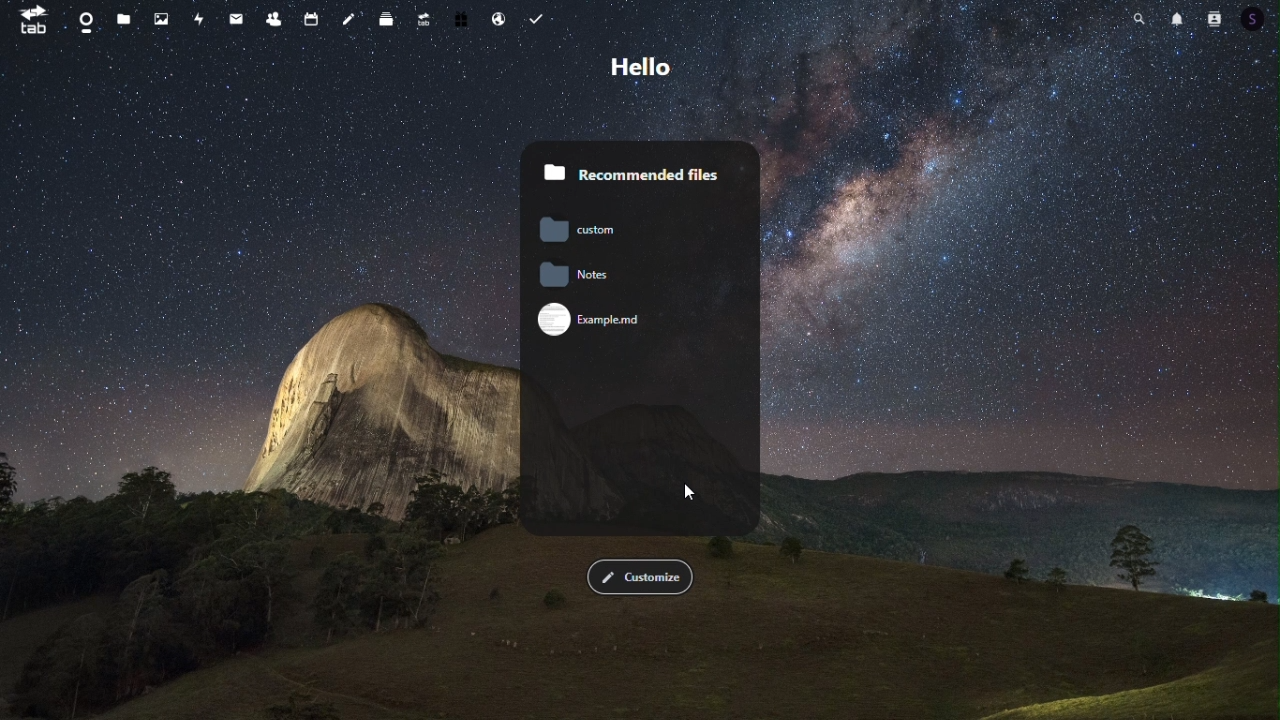  Describe the element at coordinates (576, 229) in the screenshot. I see `Custom` at that location.